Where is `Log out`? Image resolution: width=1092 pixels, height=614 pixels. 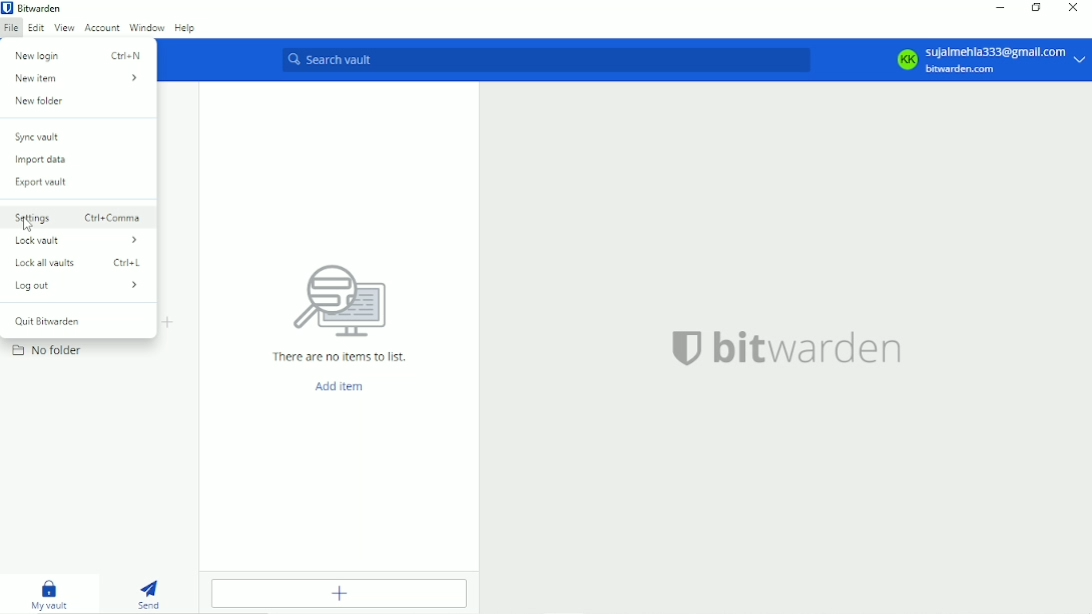 Log out is located at coordinates (78, 287).